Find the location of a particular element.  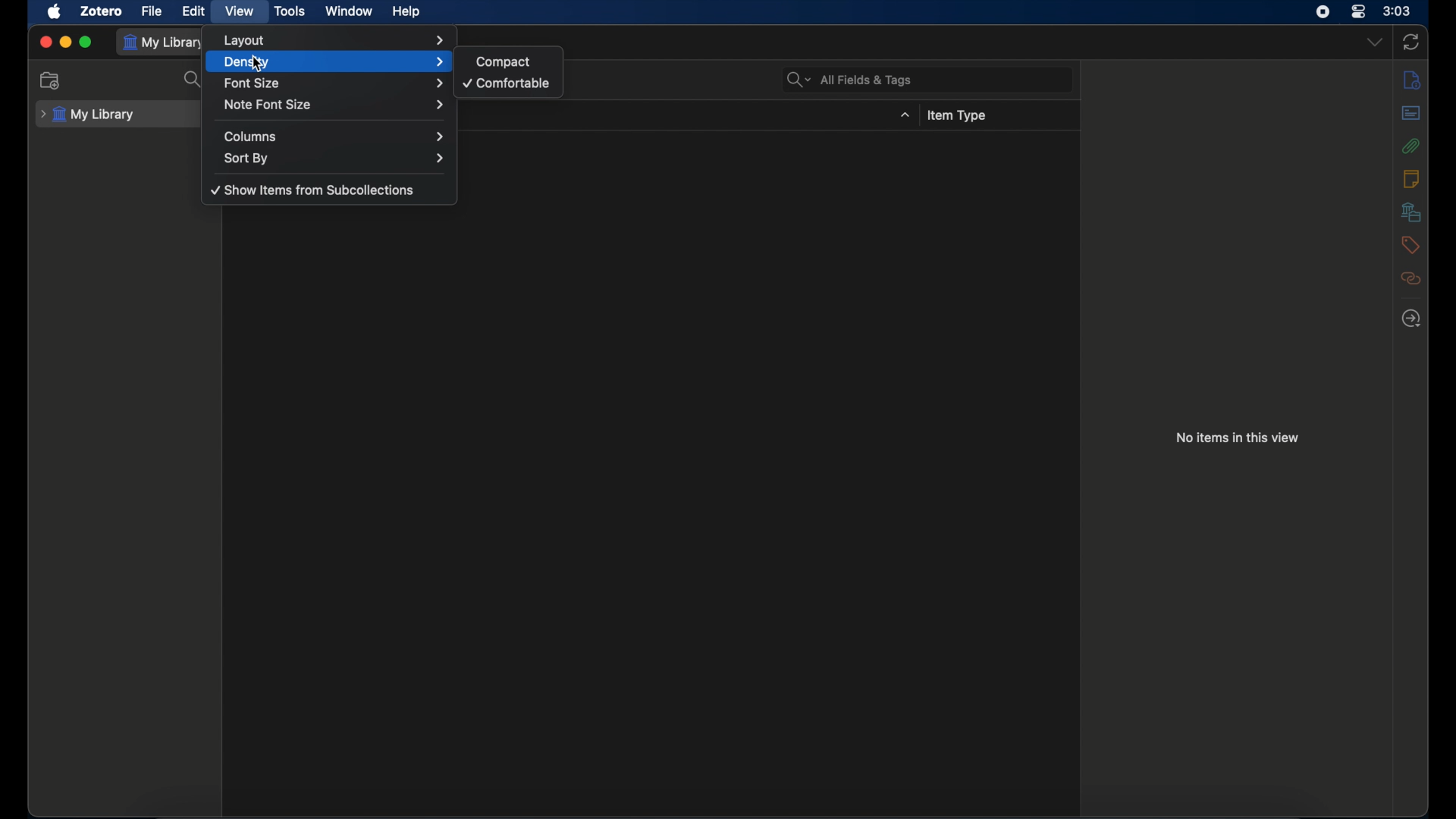

time is located at coordinates (1398, 10).